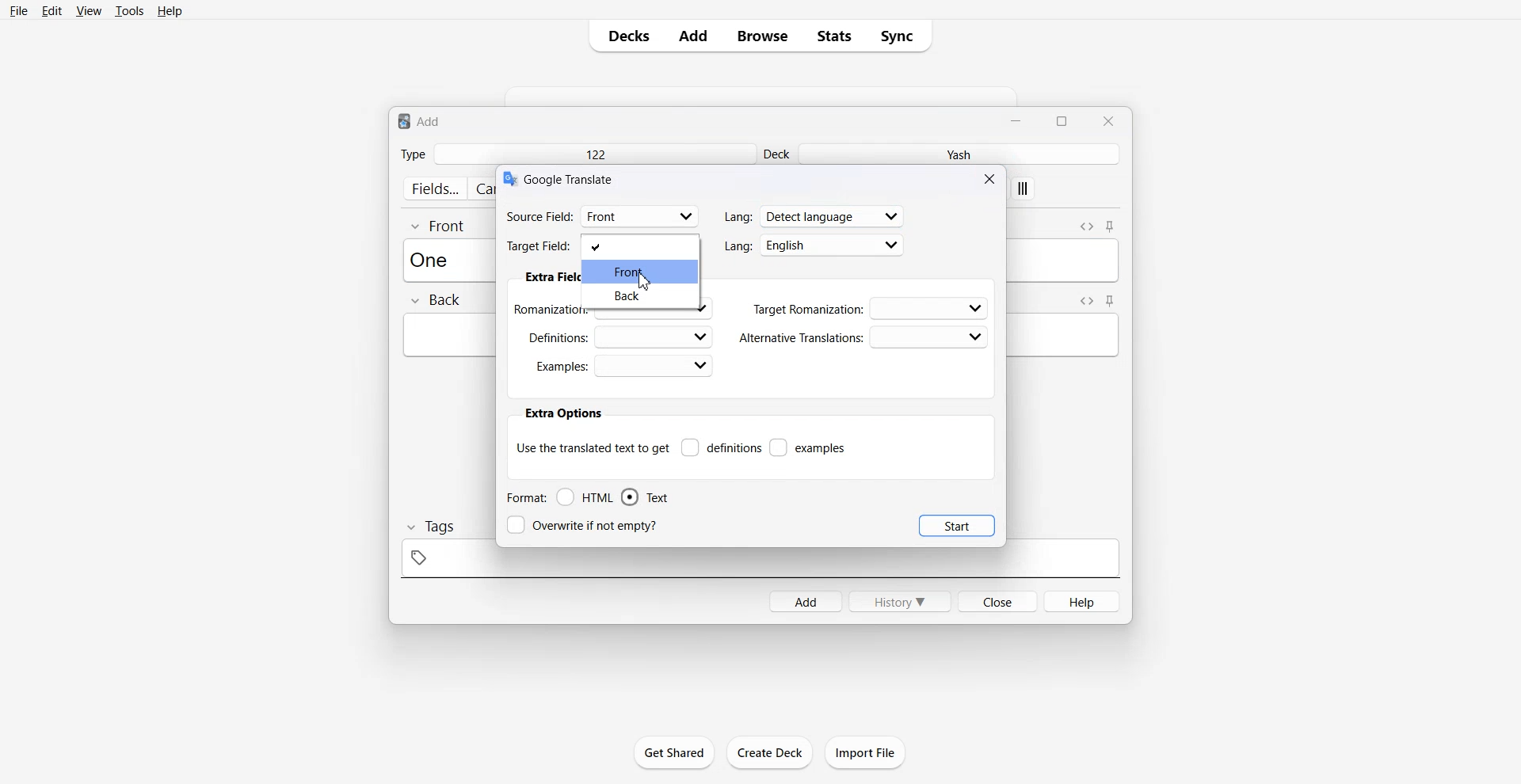 The width and height of the screenshot is (1521, 784). What do you see at coordinates (997, 600) in the screenshot?
I see `Close` at bounding box center [997, 600].